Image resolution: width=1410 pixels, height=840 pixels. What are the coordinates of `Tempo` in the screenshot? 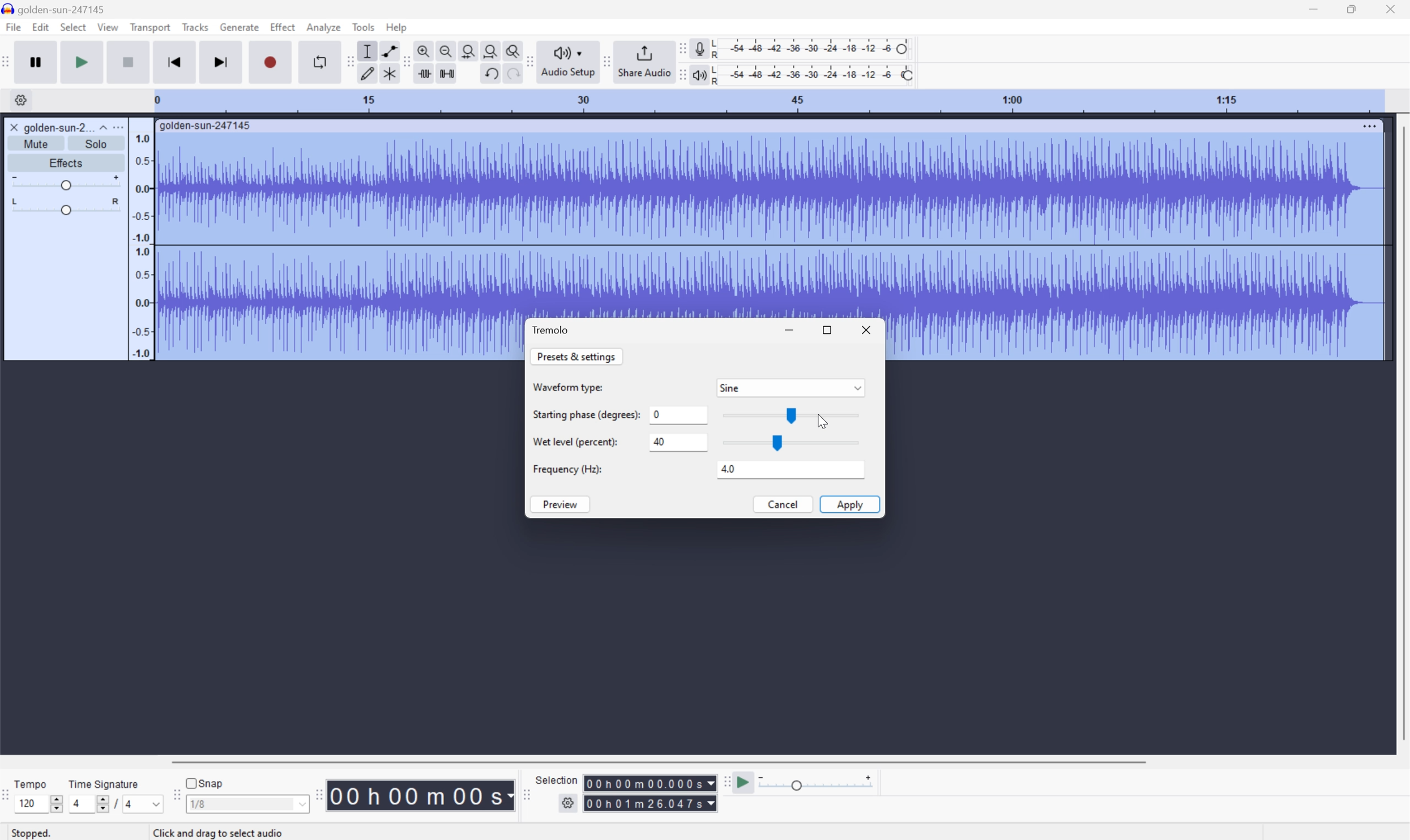 It's located at (31, 783).